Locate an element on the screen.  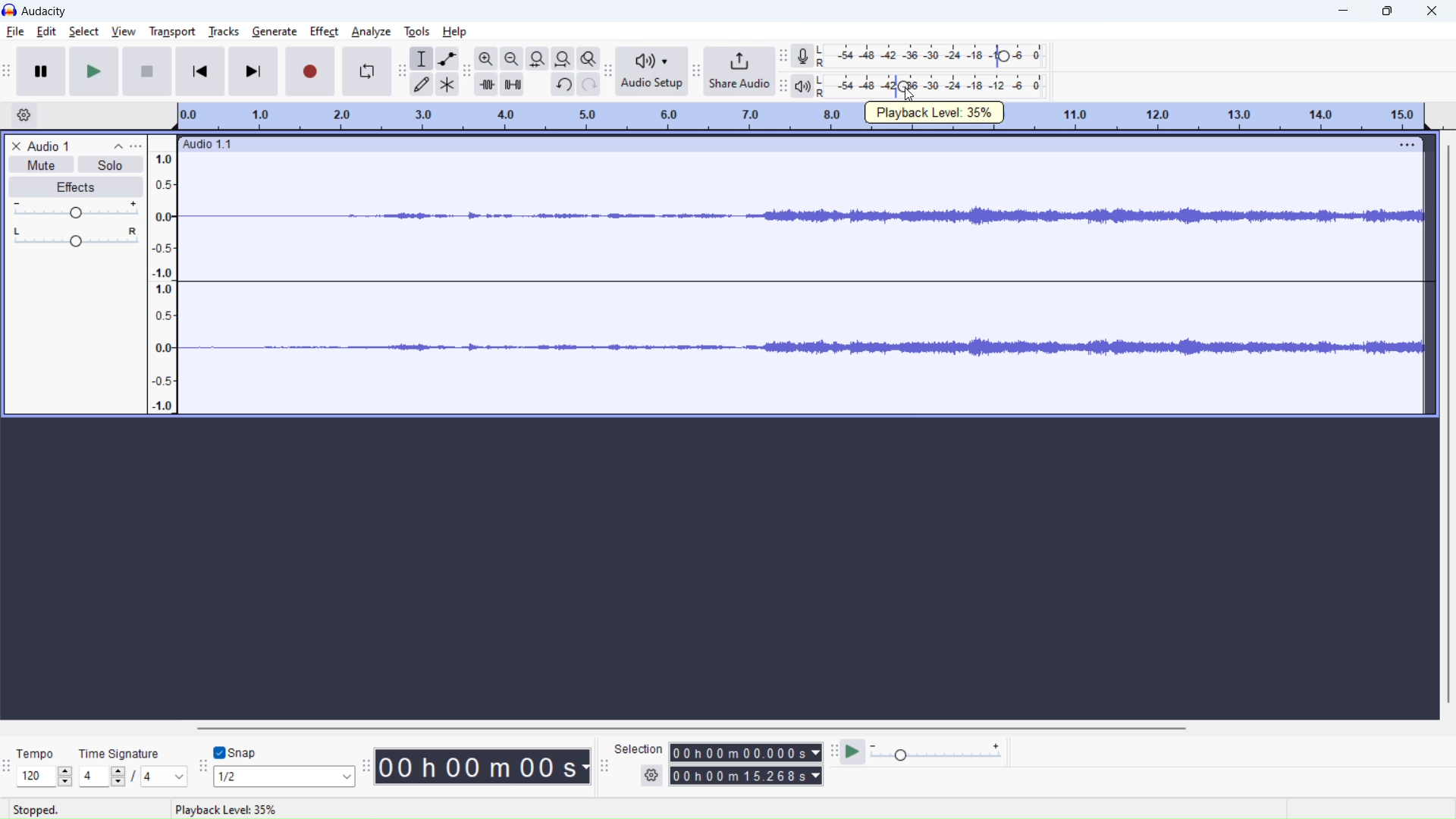
time signature toolbar is located at coordinates (7, 763).